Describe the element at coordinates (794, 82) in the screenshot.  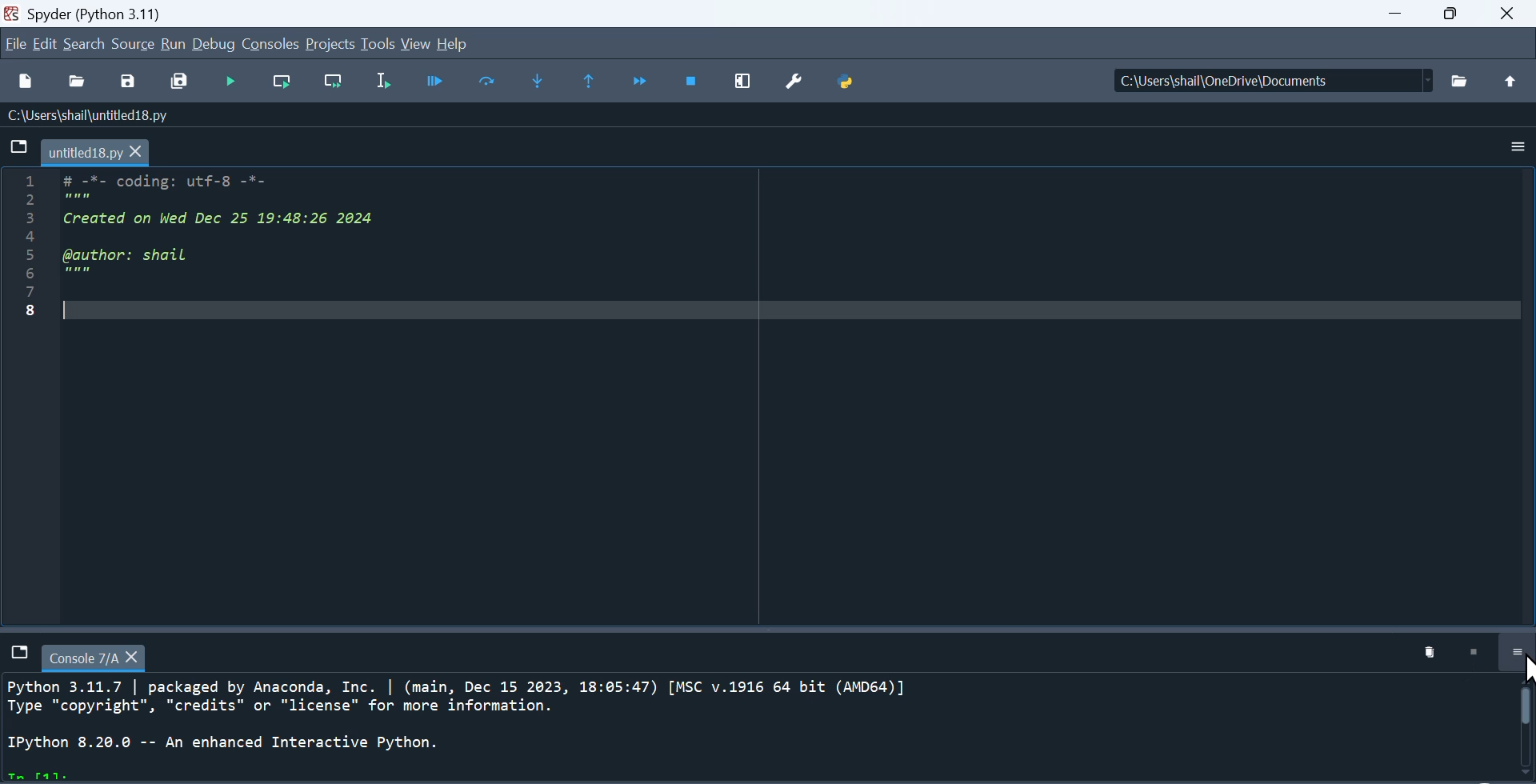
I see `preferences` at that location.